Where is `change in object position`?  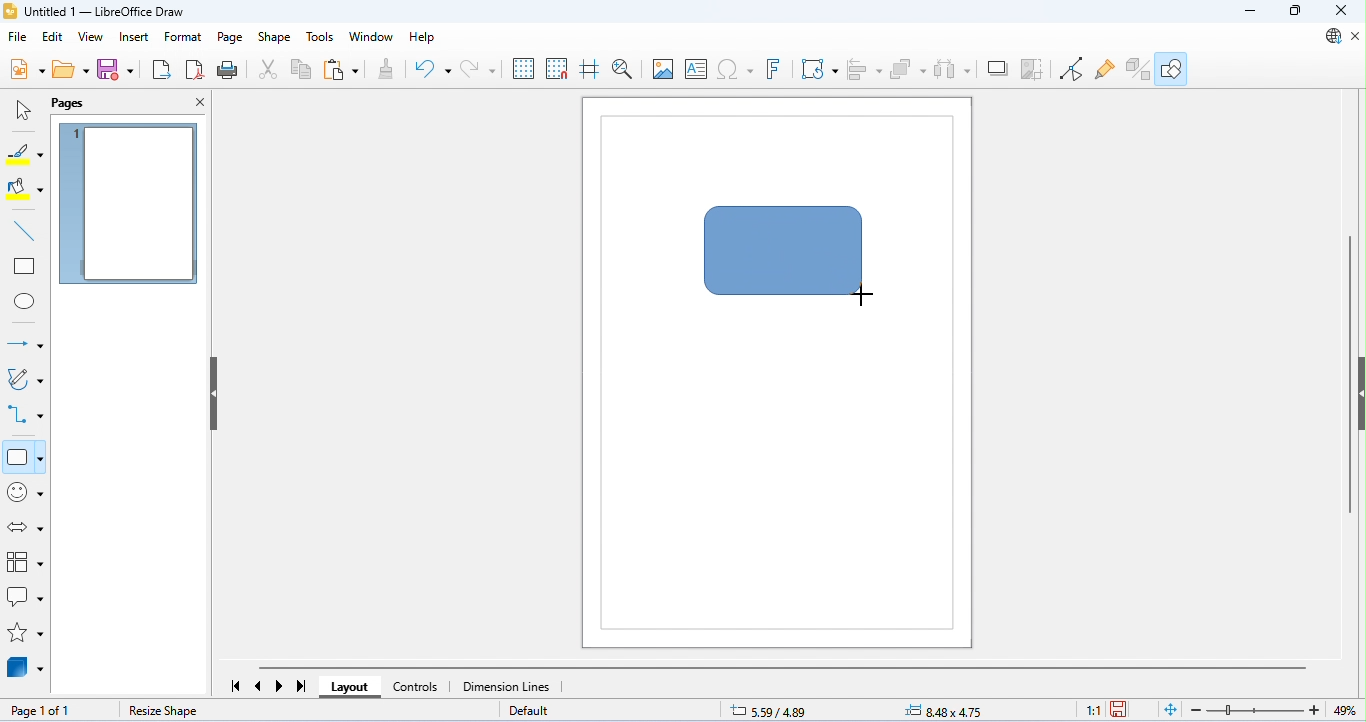 change in object position is located at coordinates (943, 710).